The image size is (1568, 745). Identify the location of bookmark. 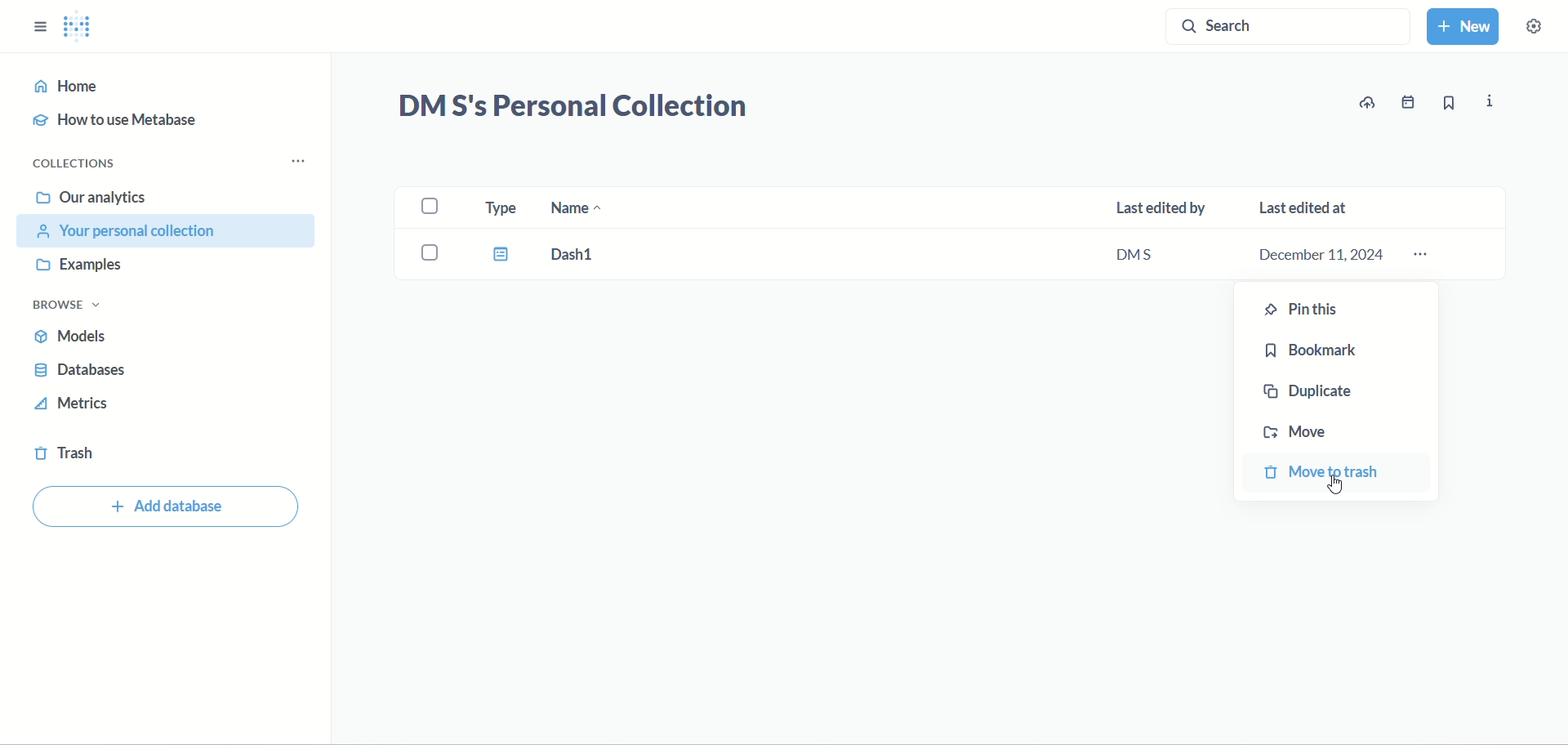
(1448, 105).